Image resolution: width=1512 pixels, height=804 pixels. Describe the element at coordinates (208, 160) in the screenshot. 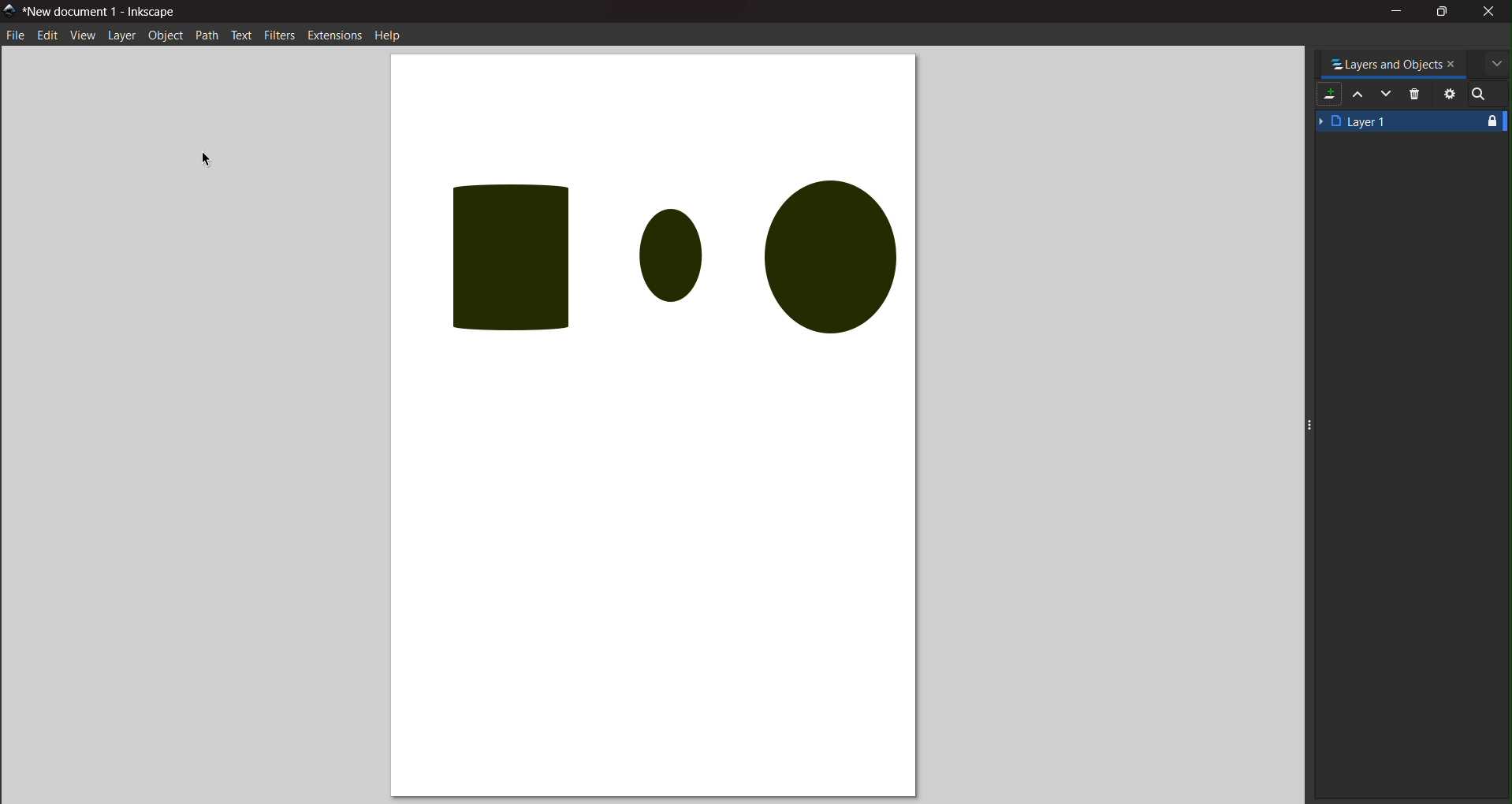

I see `cursor` at that location.